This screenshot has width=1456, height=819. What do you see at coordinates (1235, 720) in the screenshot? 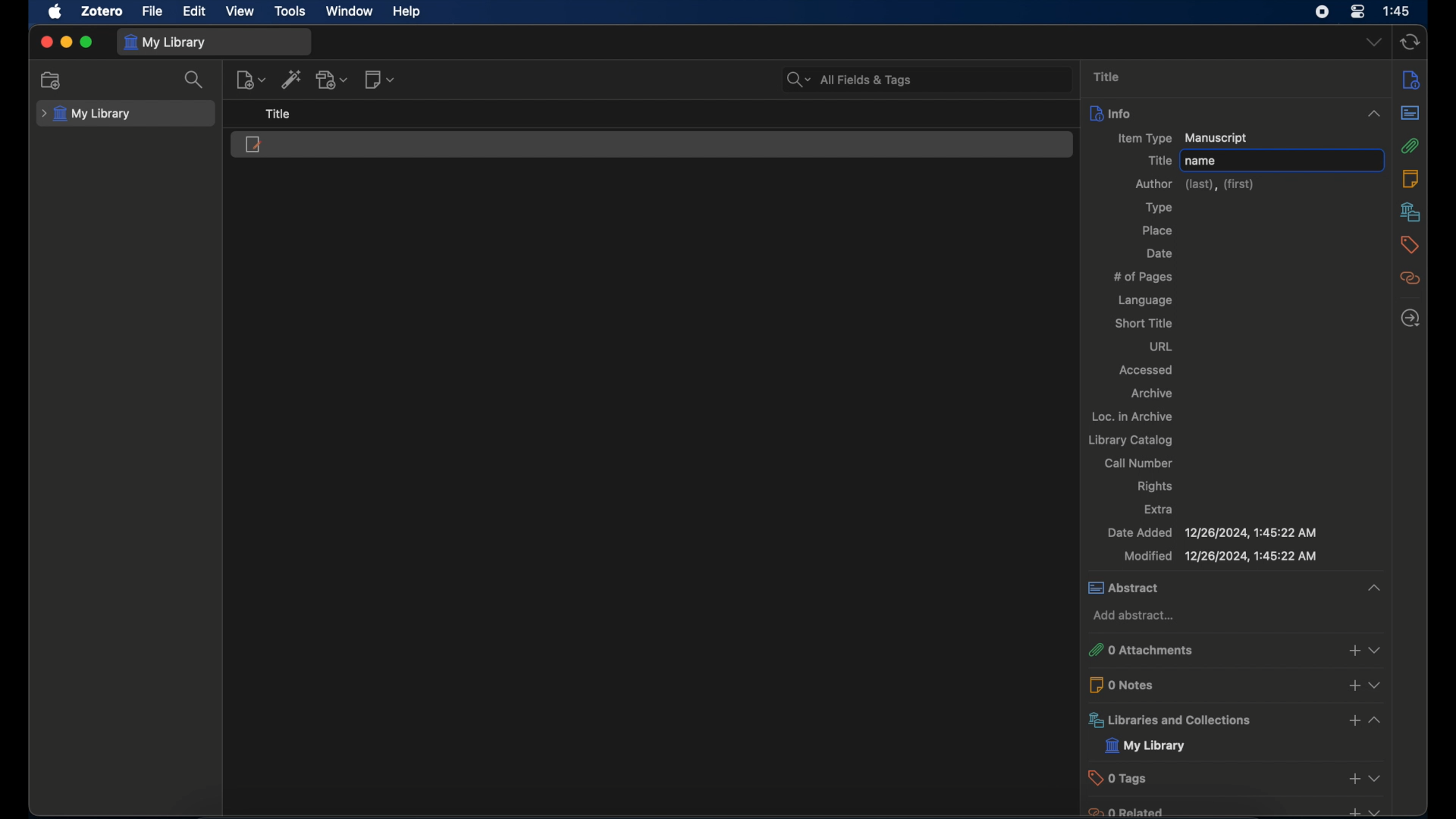
I see `libraries` at bounding box center [1235, 720].